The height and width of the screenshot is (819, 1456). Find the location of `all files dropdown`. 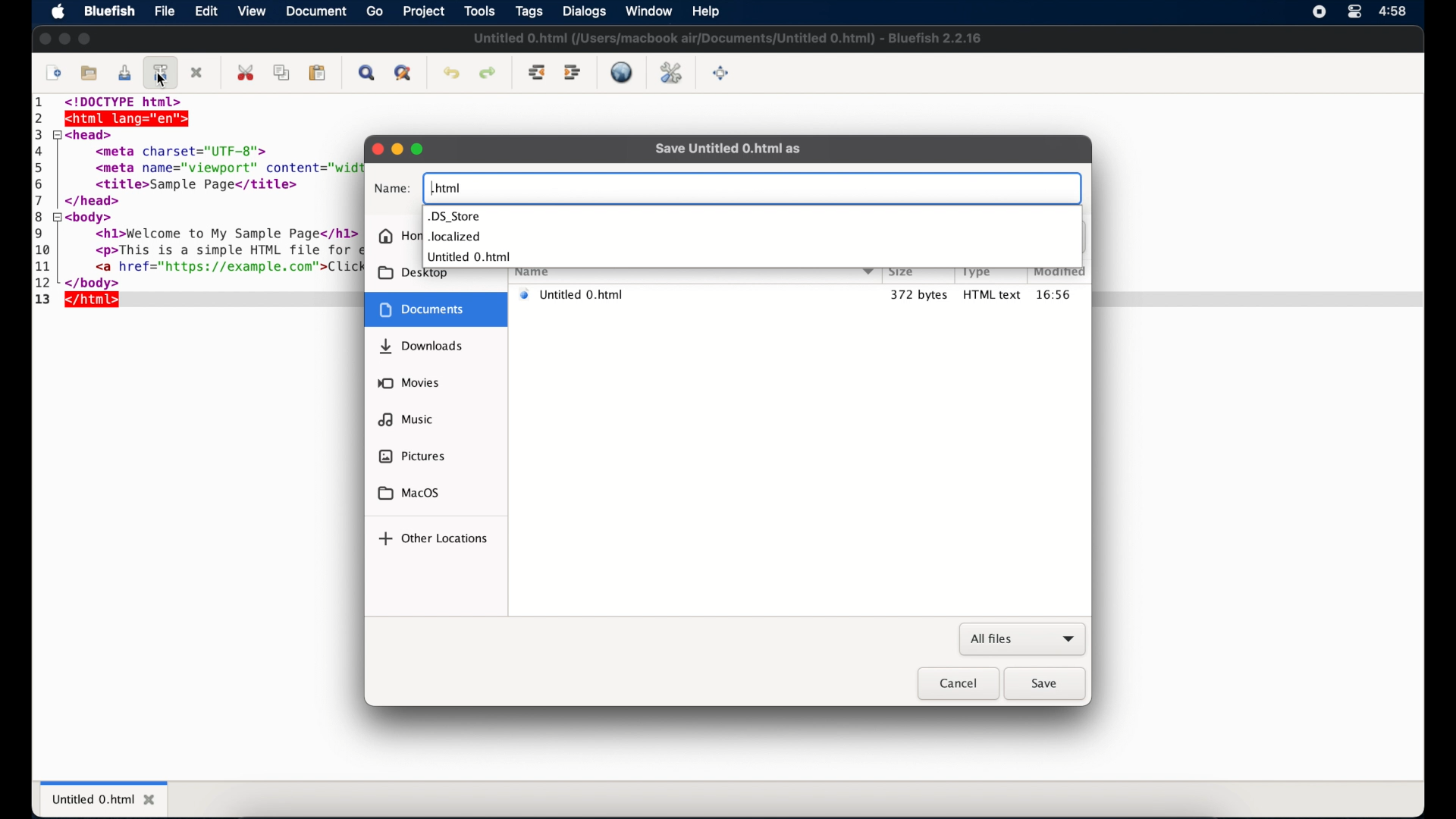

all files dropdown is located at coordinates (1023, 640).